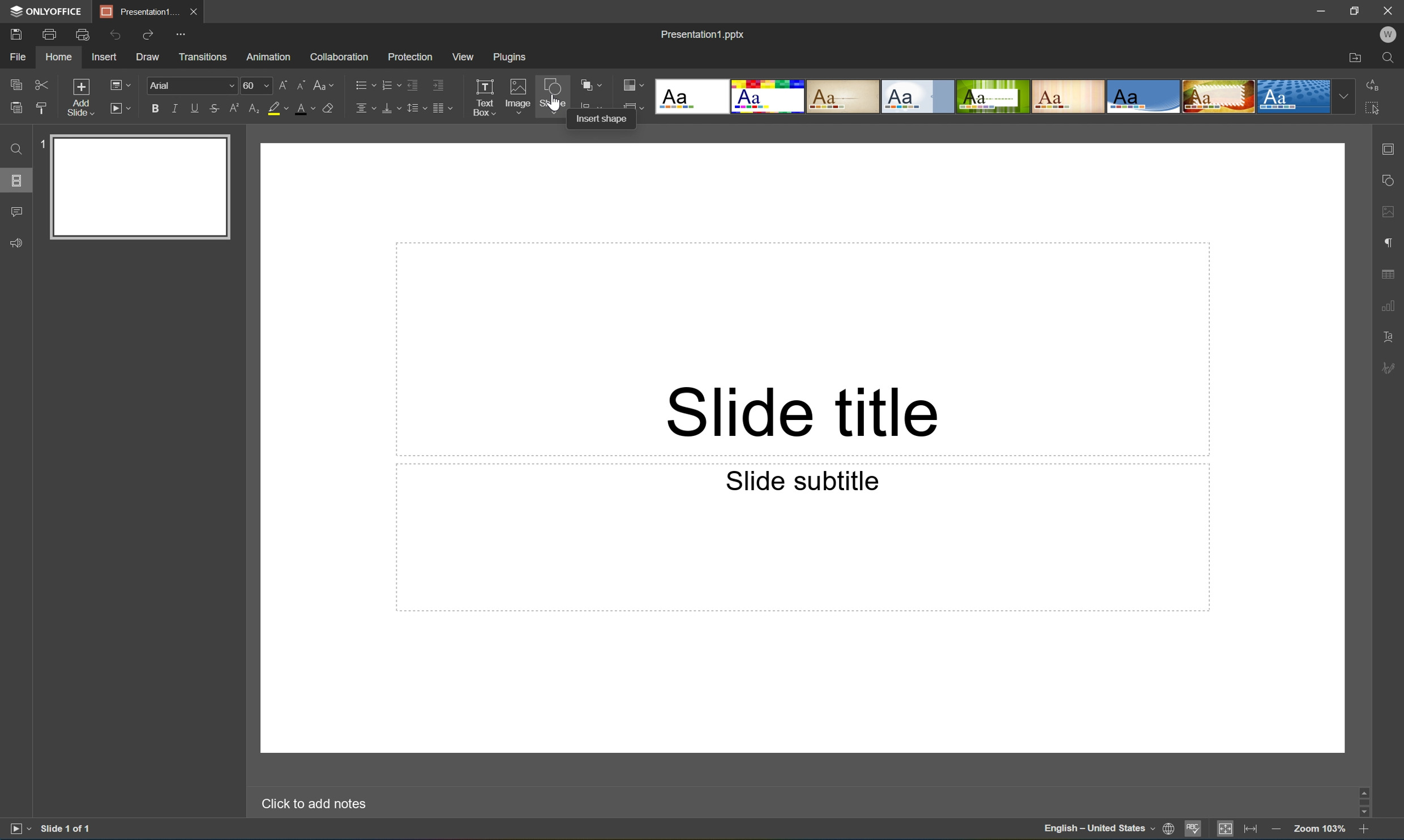  What do you see at coordinates (633, 85) in the screenshot?
I see `Change color theme` at bounding box center [633, 85].